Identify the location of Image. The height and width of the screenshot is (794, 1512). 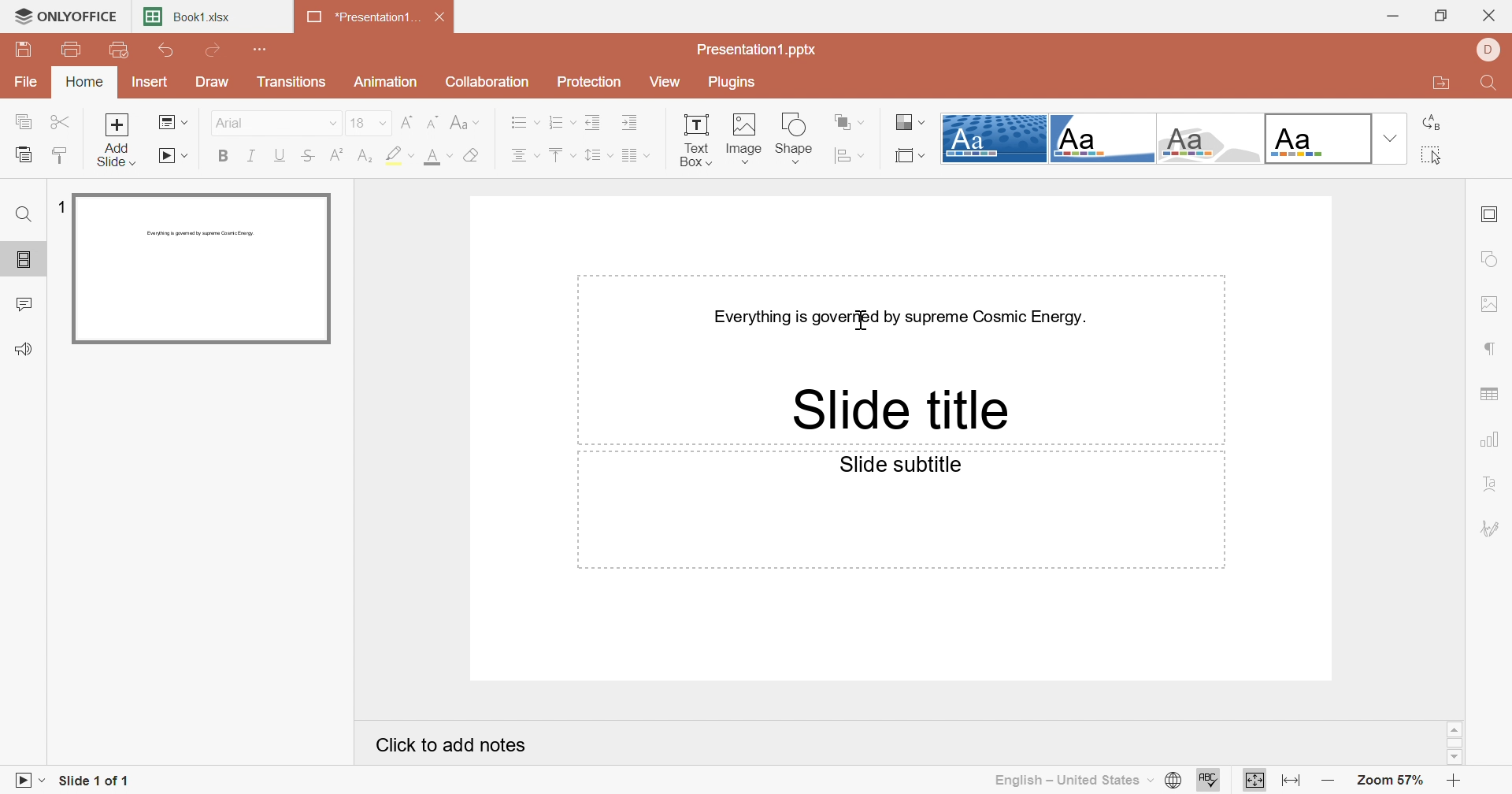
(1492, 304).